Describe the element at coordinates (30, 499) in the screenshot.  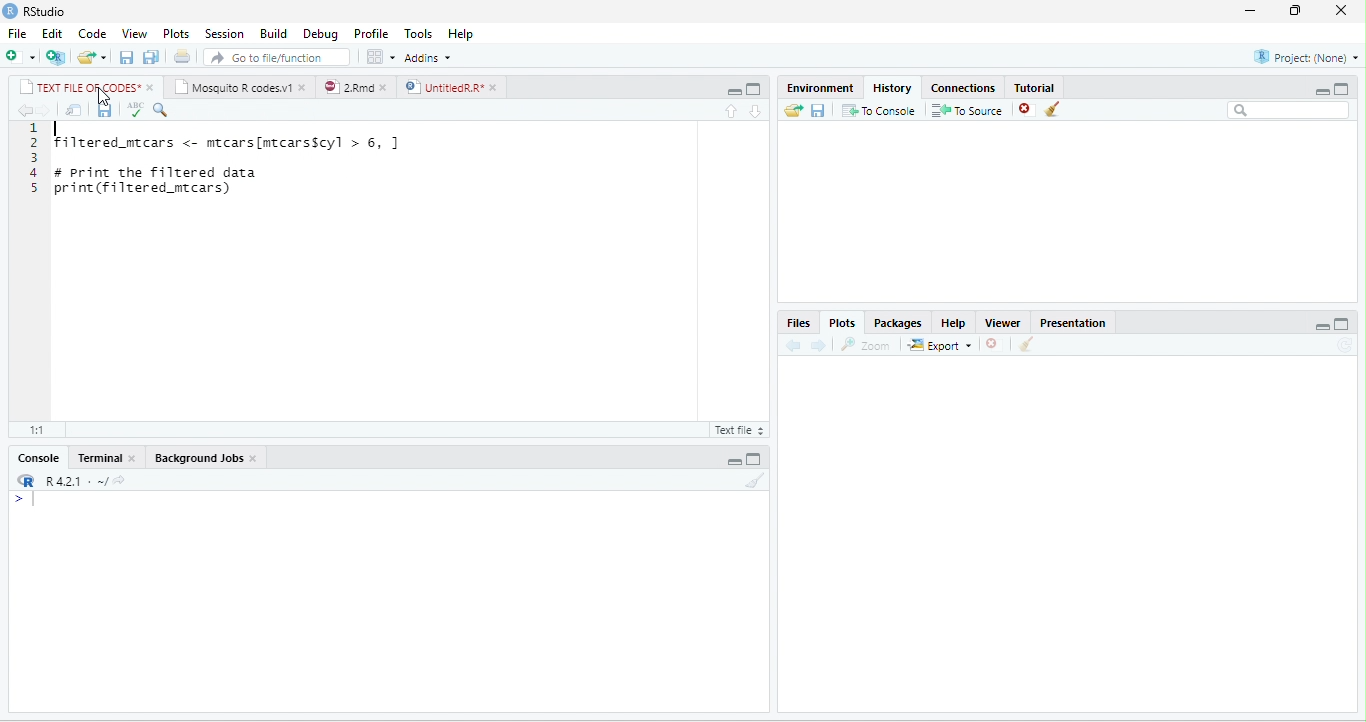
I see `>` at that location.